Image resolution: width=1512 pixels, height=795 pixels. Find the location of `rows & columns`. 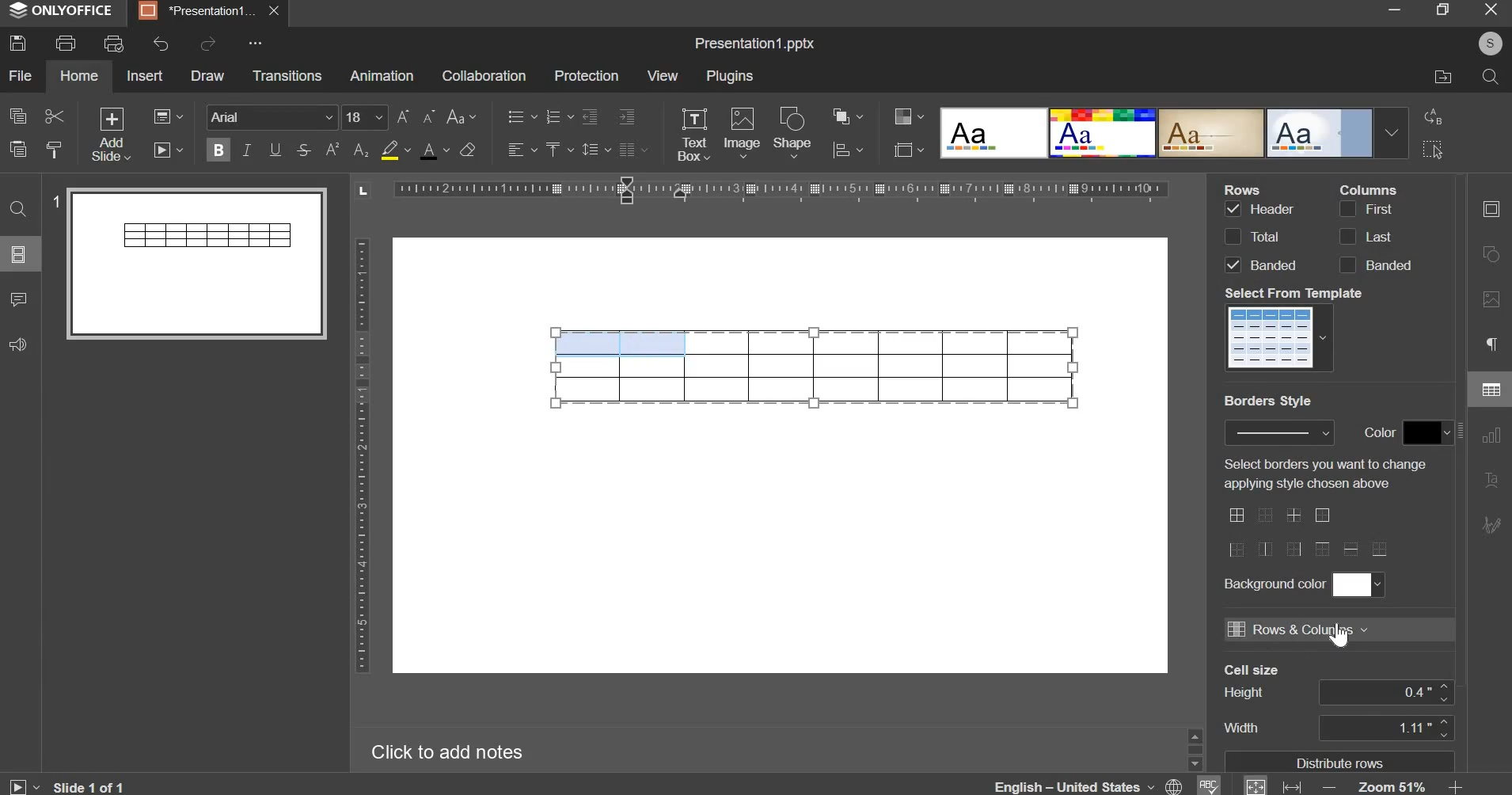

rows & columns is located at coordinates (1297, 629).